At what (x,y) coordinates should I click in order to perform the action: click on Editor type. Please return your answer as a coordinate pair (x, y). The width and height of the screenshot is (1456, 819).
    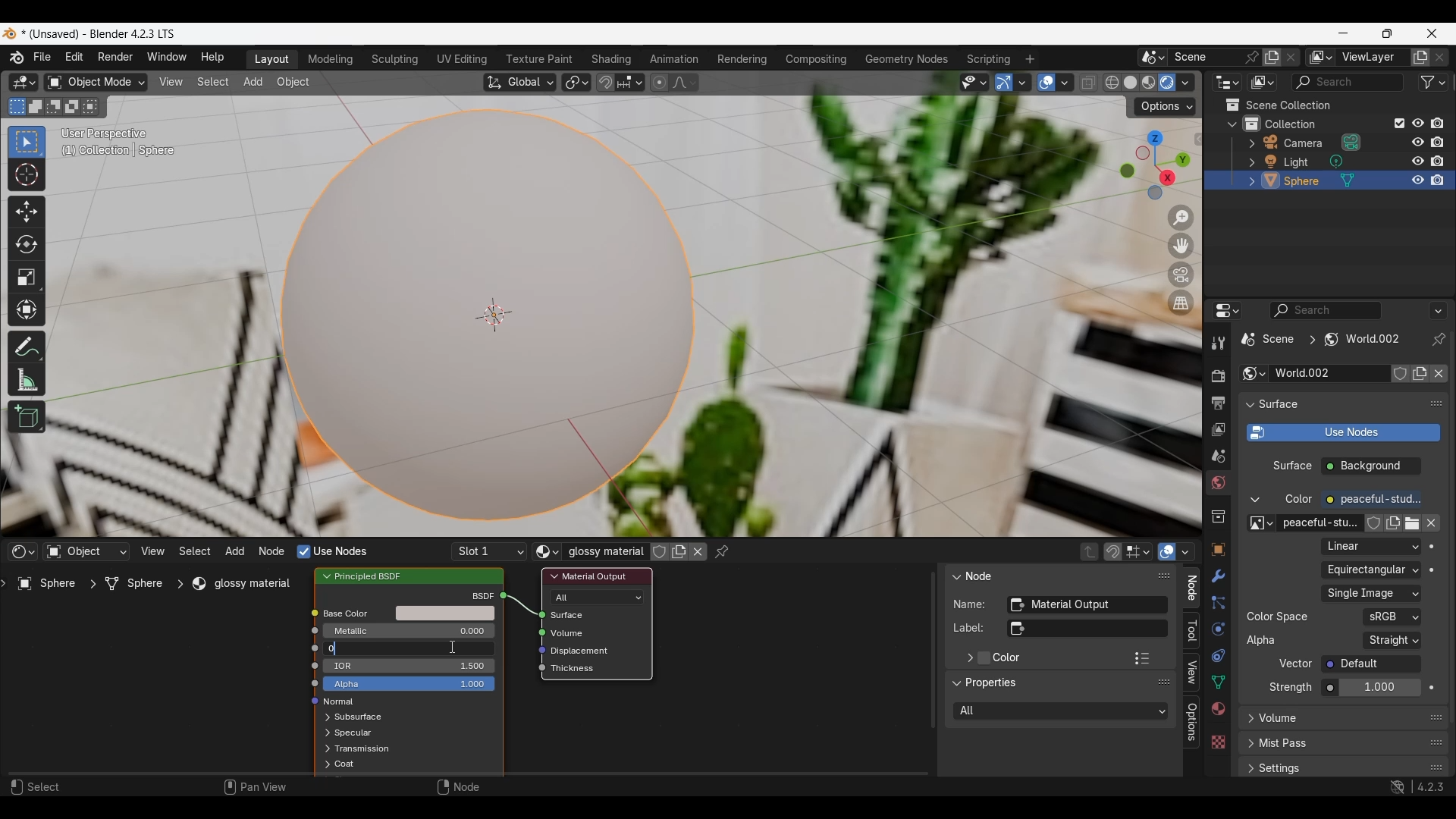
    Looking at the image, I should click on (23, 551).